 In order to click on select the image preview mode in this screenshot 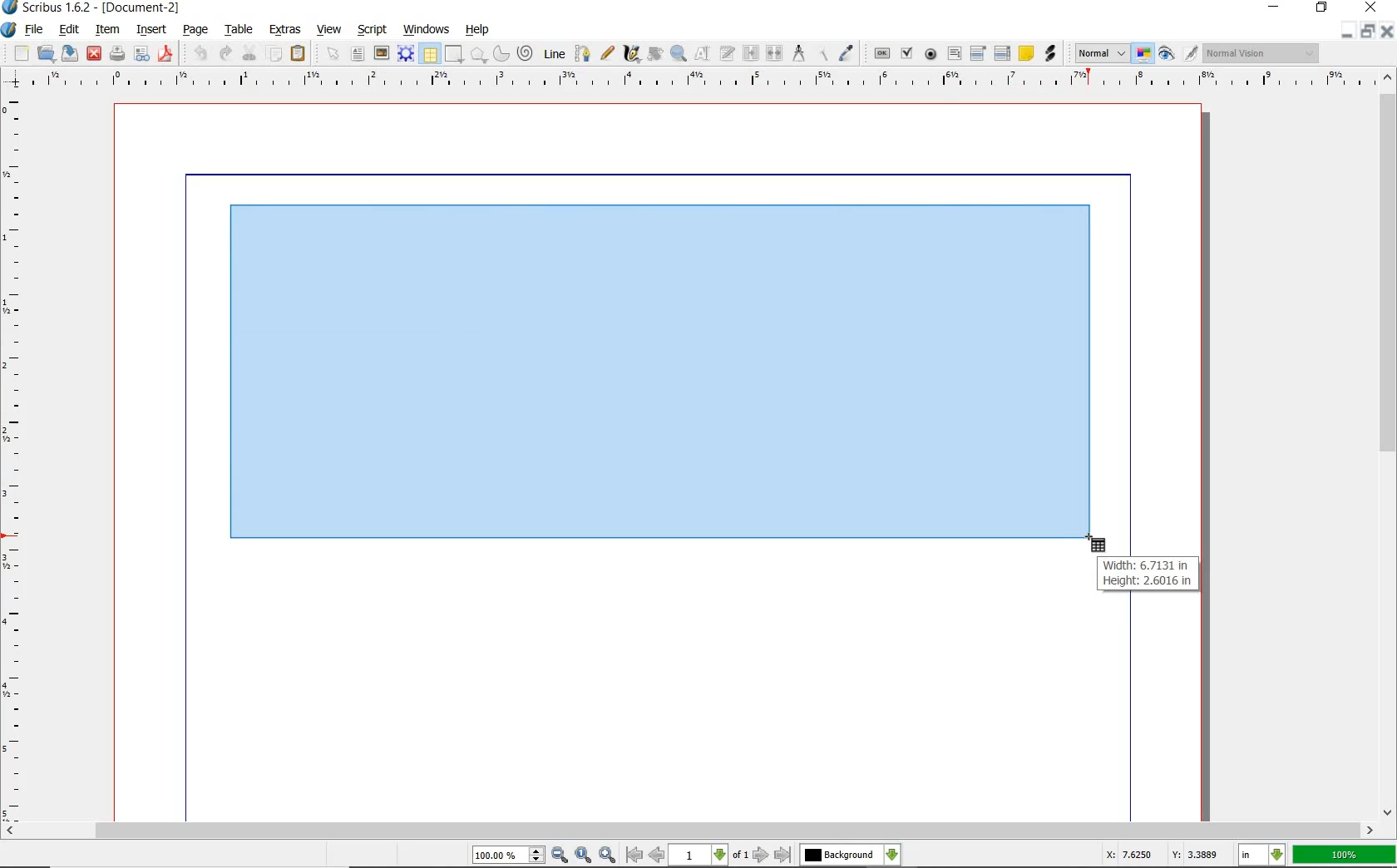, I will do `click(1098, 53)`.